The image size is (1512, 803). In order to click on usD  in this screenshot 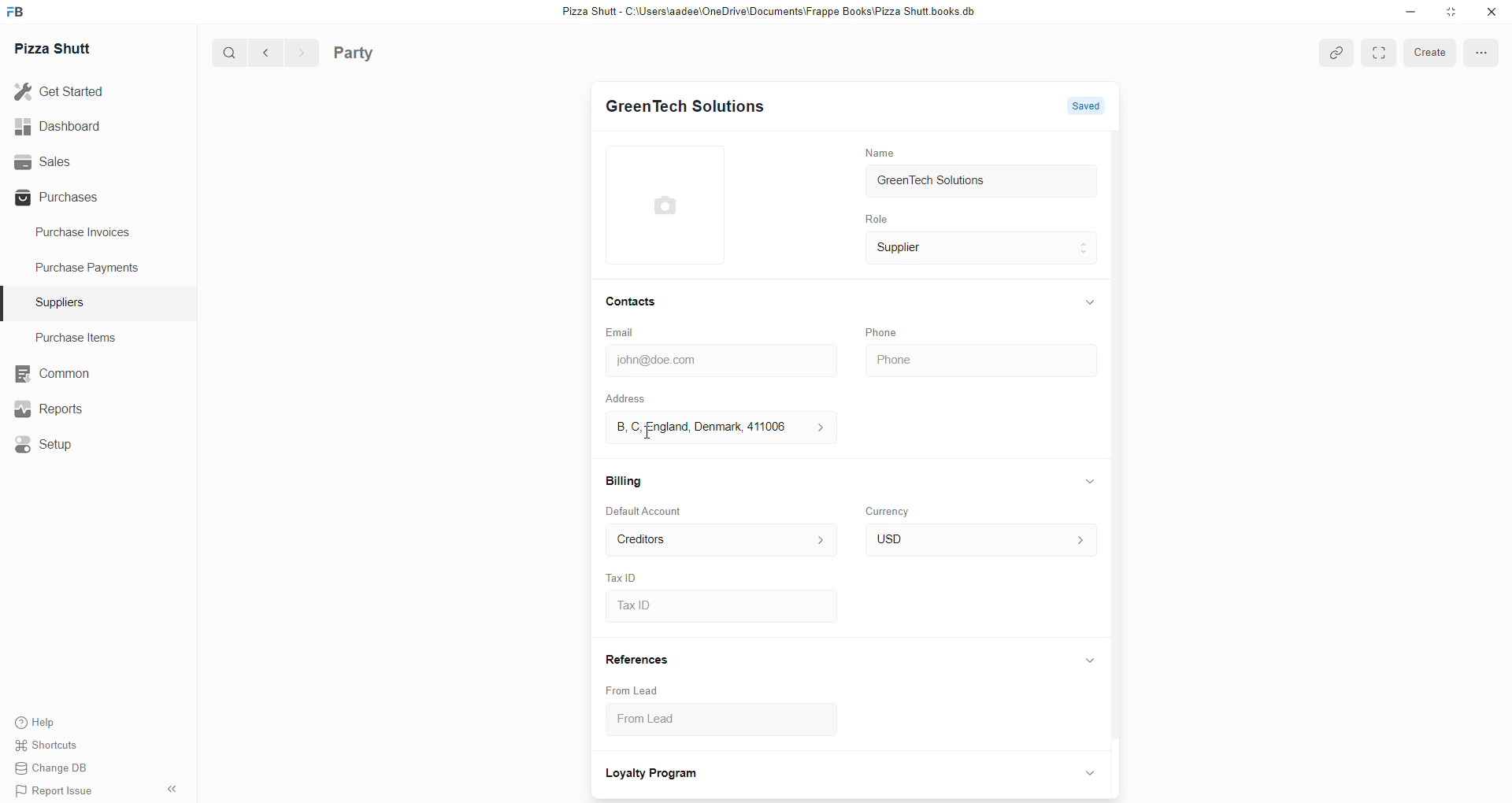, I will do `click(978, 541)`.